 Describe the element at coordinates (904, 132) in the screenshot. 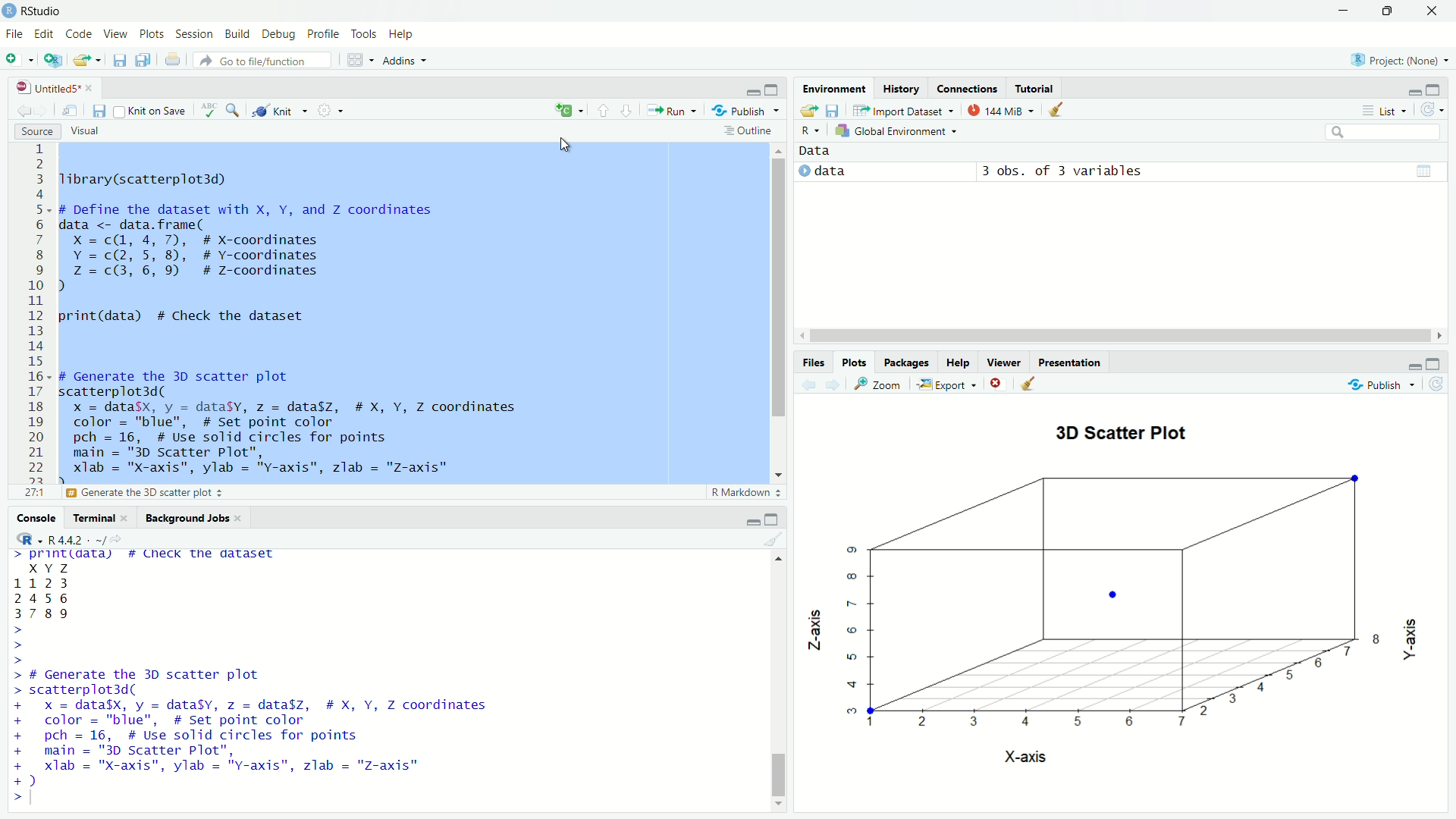

I see `global environment` at that location.